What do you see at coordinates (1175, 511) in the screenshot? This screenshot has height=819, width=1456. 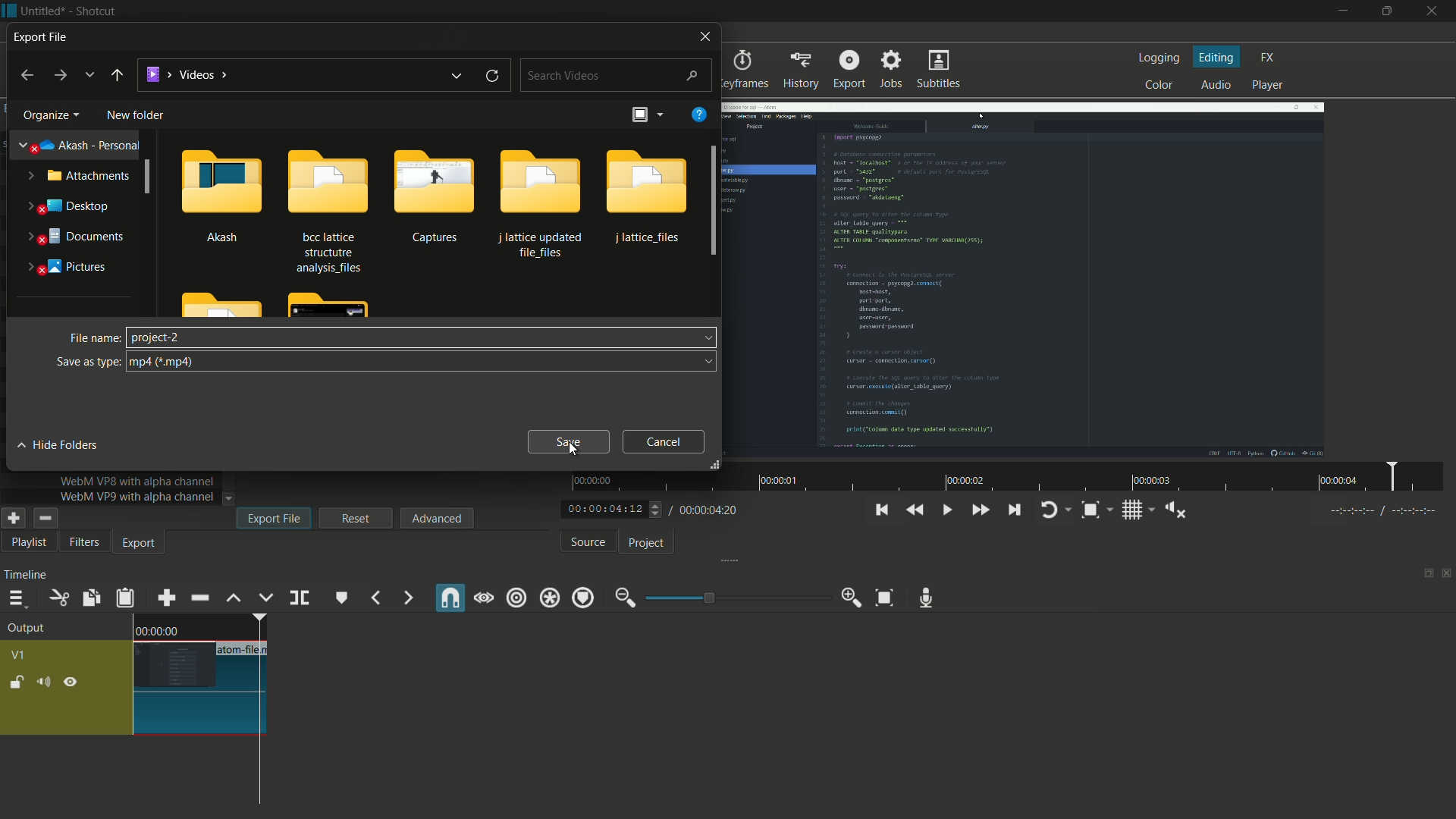 I see `show volume control` at bounding box center [1175, 511].